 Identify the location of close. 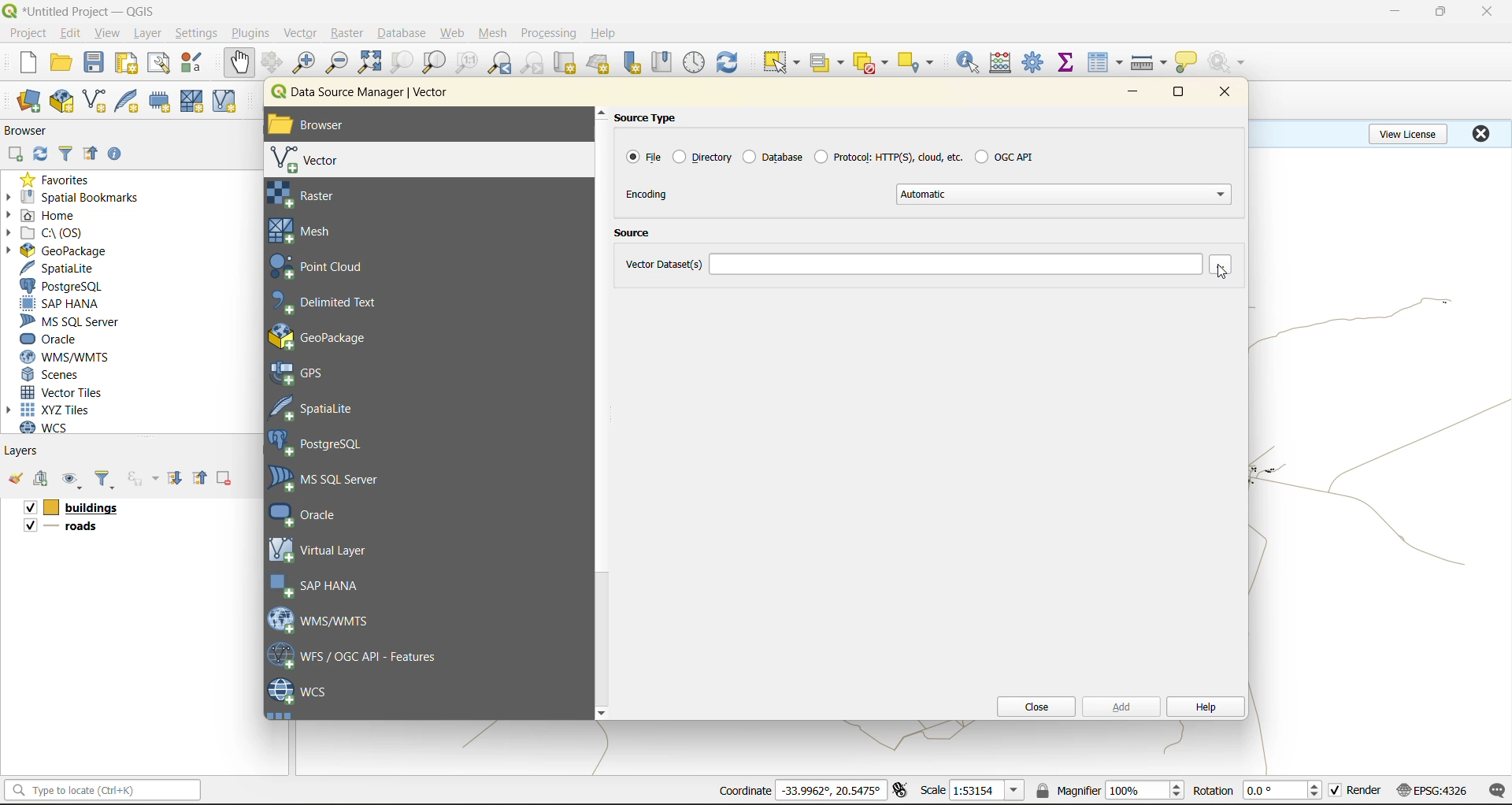
(1031, 707).